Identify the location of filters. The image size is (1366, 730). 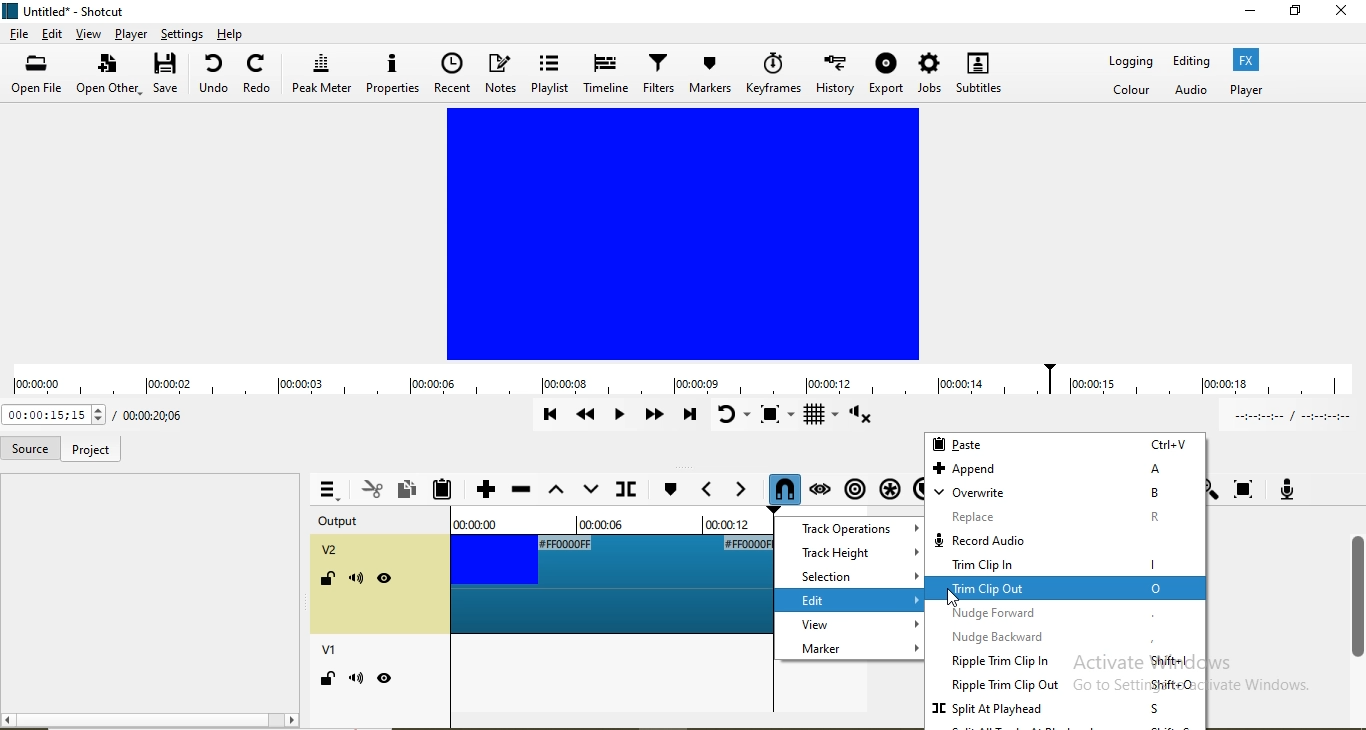
(656, 72).